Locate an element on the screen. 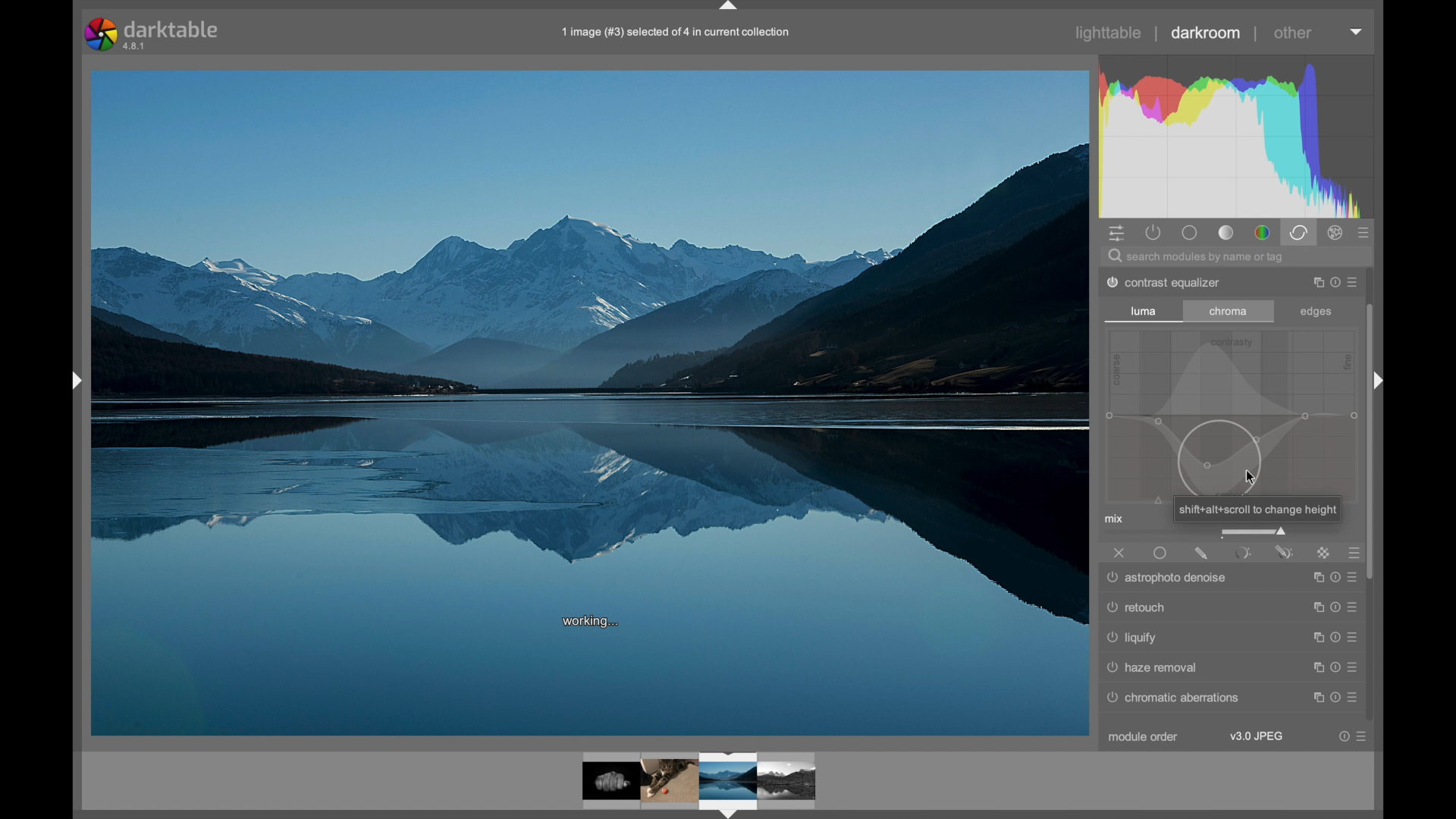  module order is located at coordinates (1145, 738).